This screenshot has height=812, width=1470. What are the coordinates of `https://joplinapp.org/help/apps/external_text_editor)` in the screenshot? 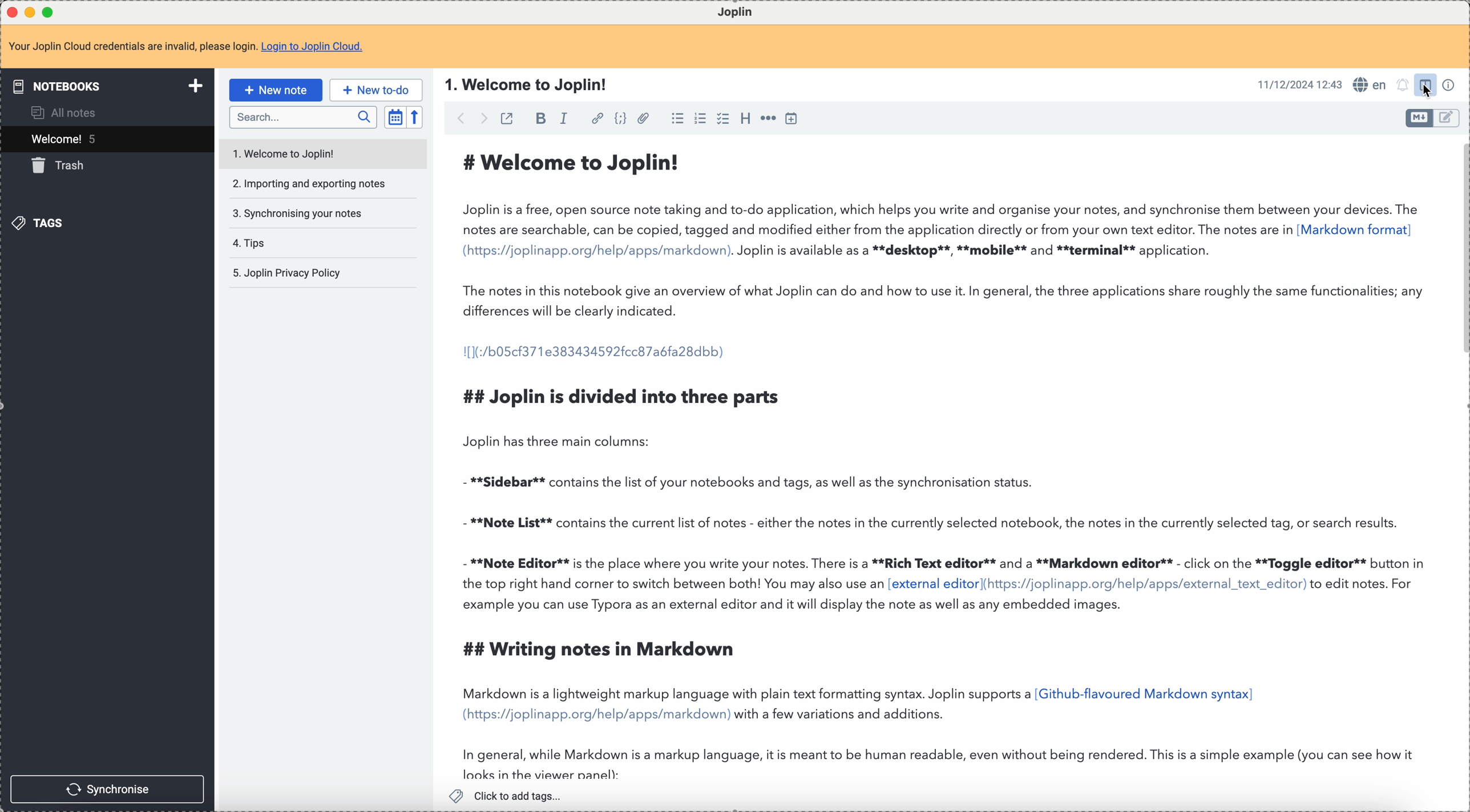 It's located at (1145, 583).